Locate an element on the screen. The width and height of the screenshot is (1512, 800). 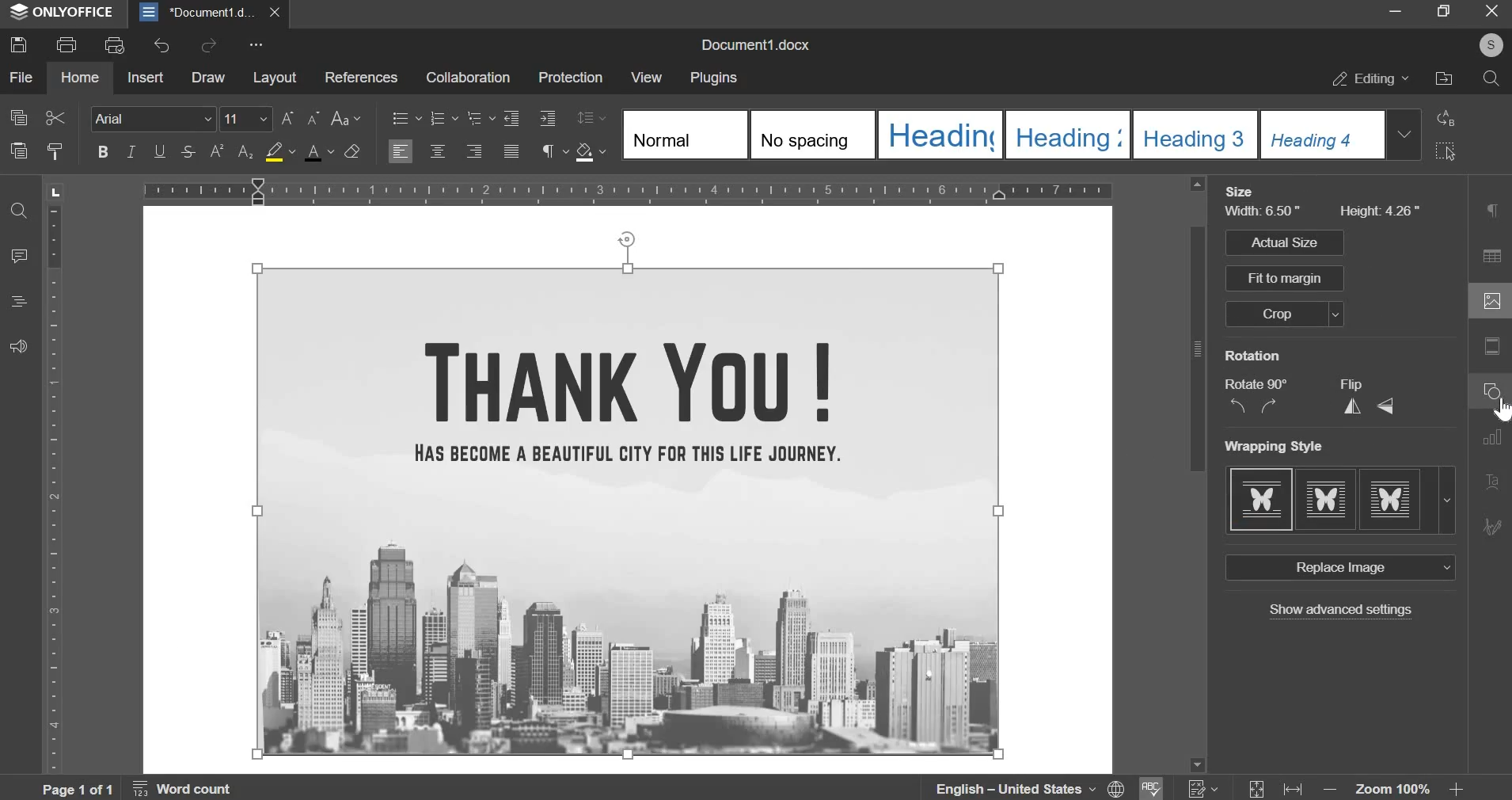
minimize is located at coordinates (1397, 12).